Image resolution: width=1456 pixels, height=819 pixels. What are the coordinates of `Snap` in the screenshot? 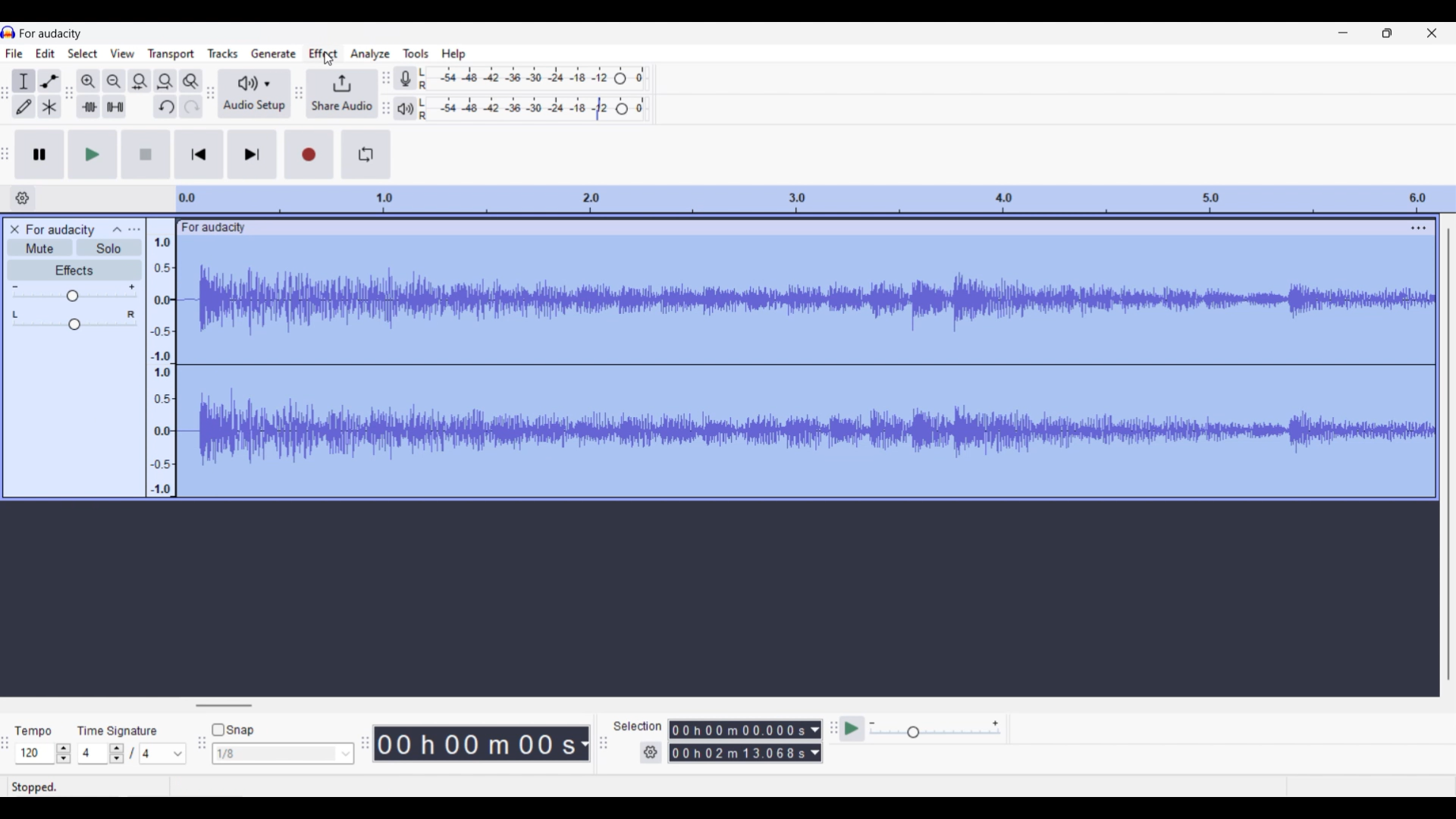 It's located at (233, 730).